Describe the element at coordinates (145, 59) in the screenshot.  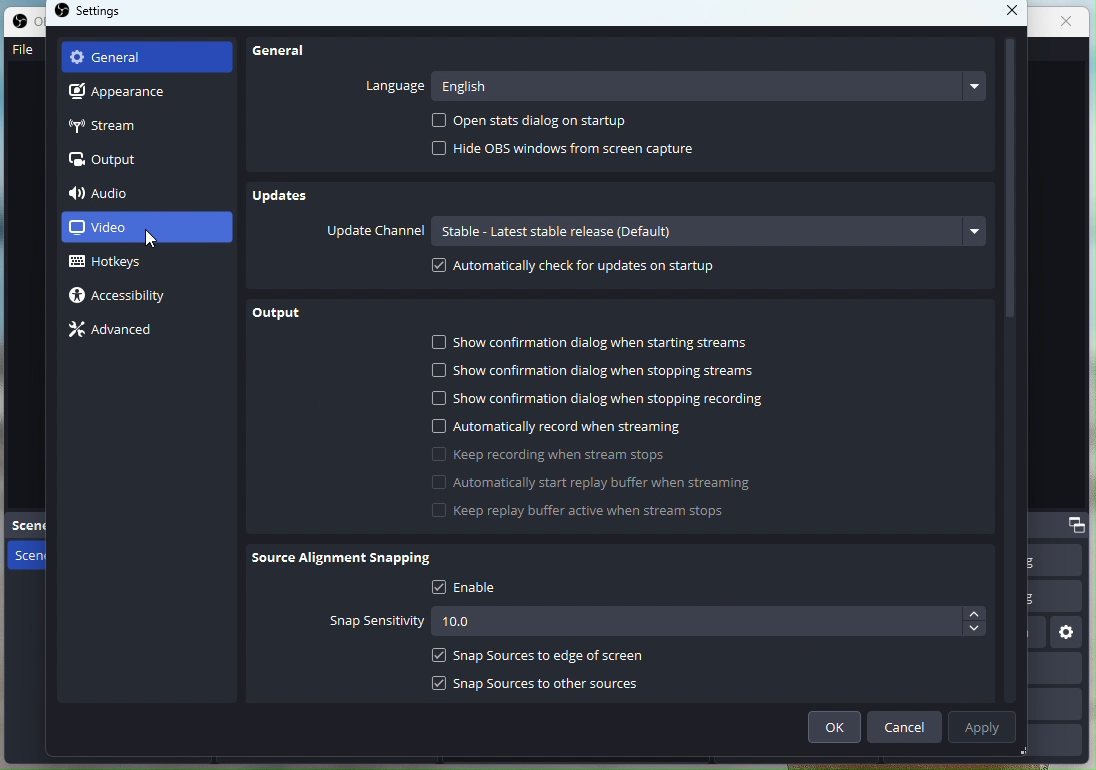
I see `General` at that location.